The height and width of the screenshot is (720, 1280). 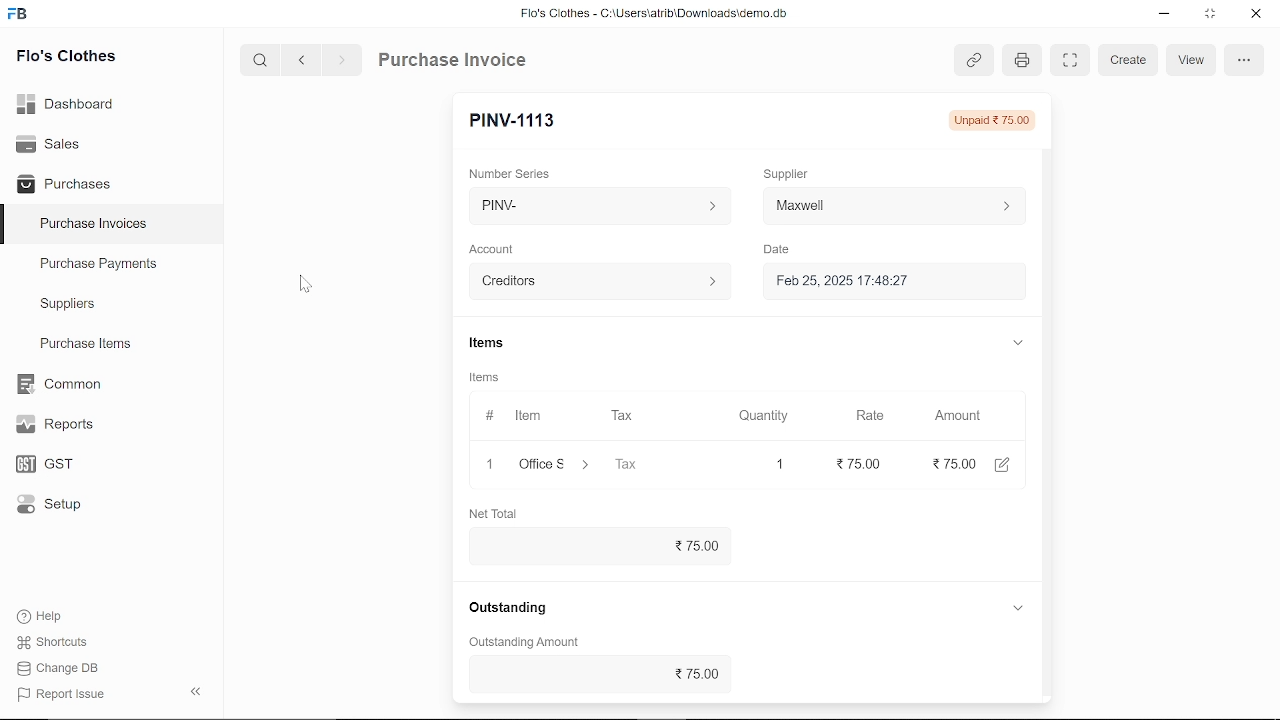 I want to click on 75, so click(x=850, y=464).